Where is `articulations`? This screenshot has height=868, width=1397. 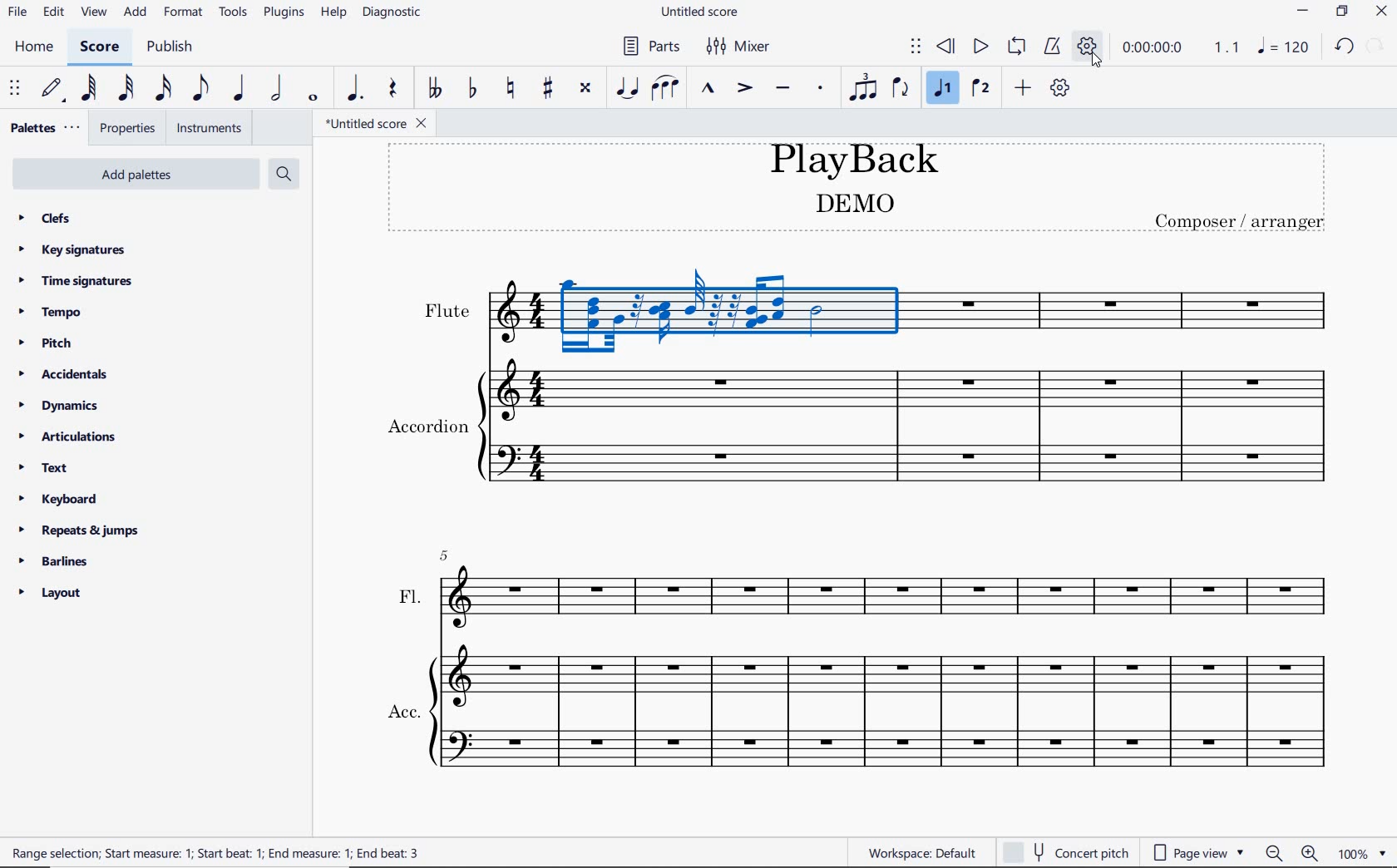
articulations is located at coordinates (64, 437).